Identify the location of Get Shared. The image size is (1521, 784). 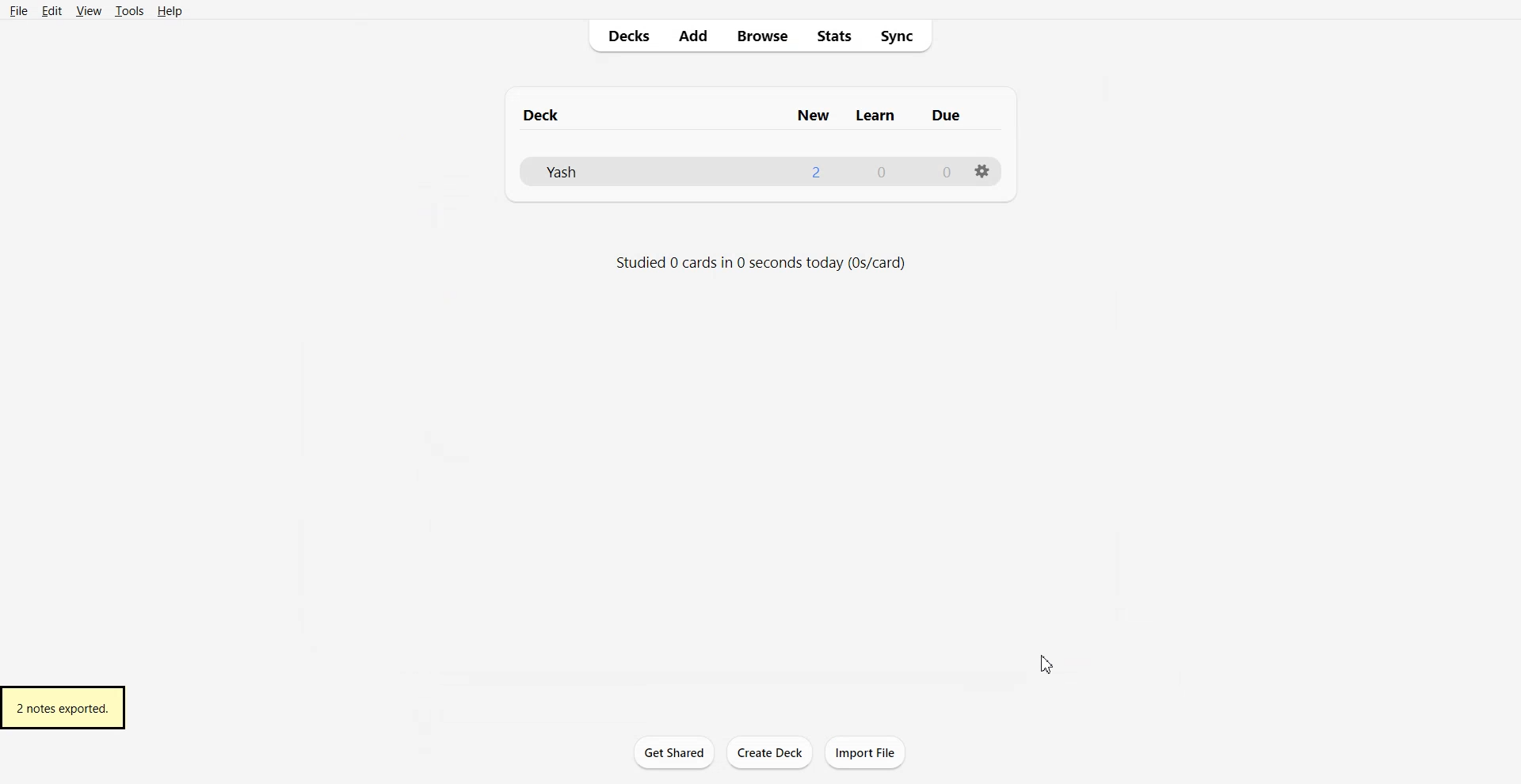
(673, 752).